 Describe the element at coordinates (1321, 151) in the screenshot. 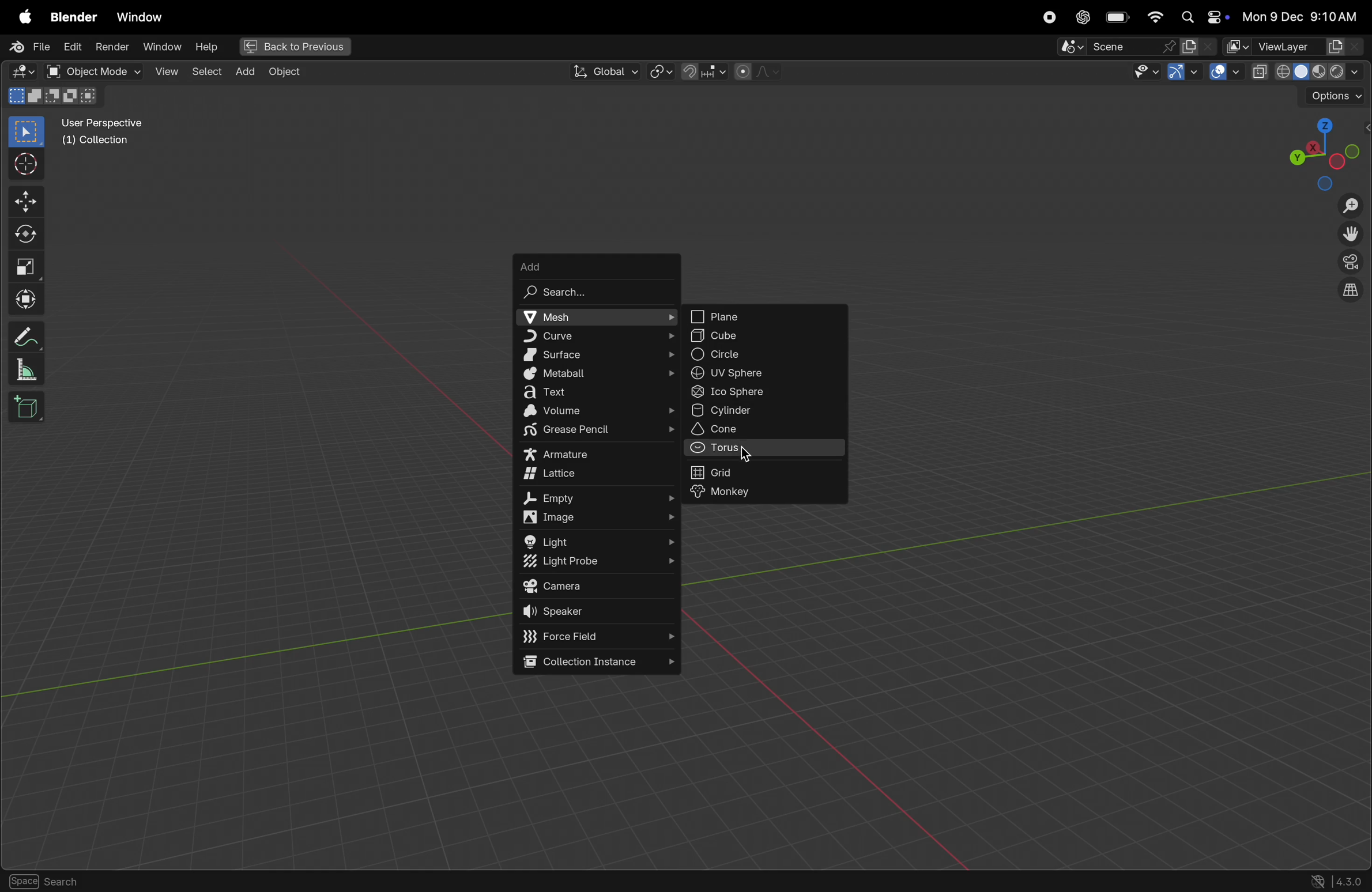

I see `view point` at that location.